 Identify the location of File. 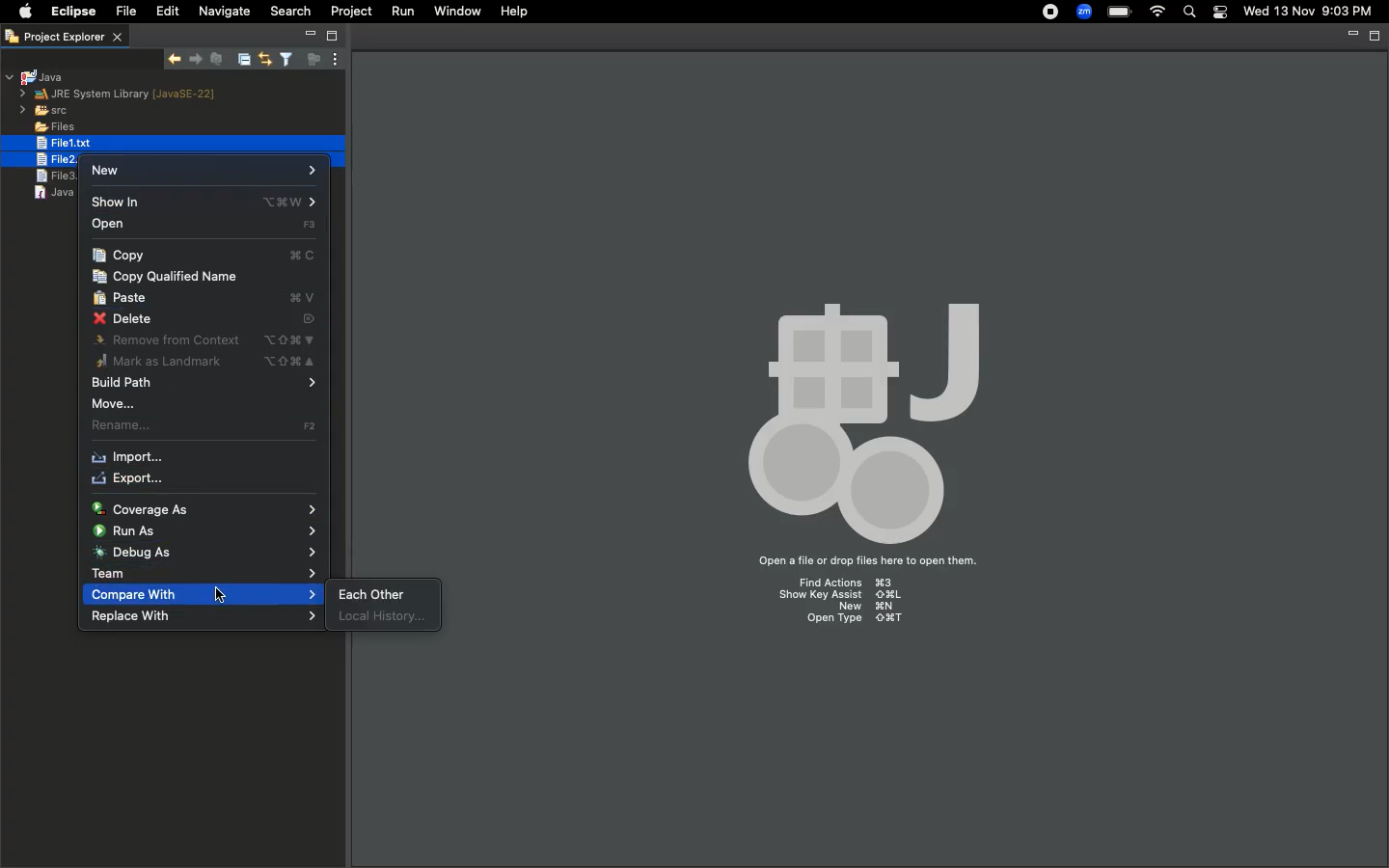
(124, 12).